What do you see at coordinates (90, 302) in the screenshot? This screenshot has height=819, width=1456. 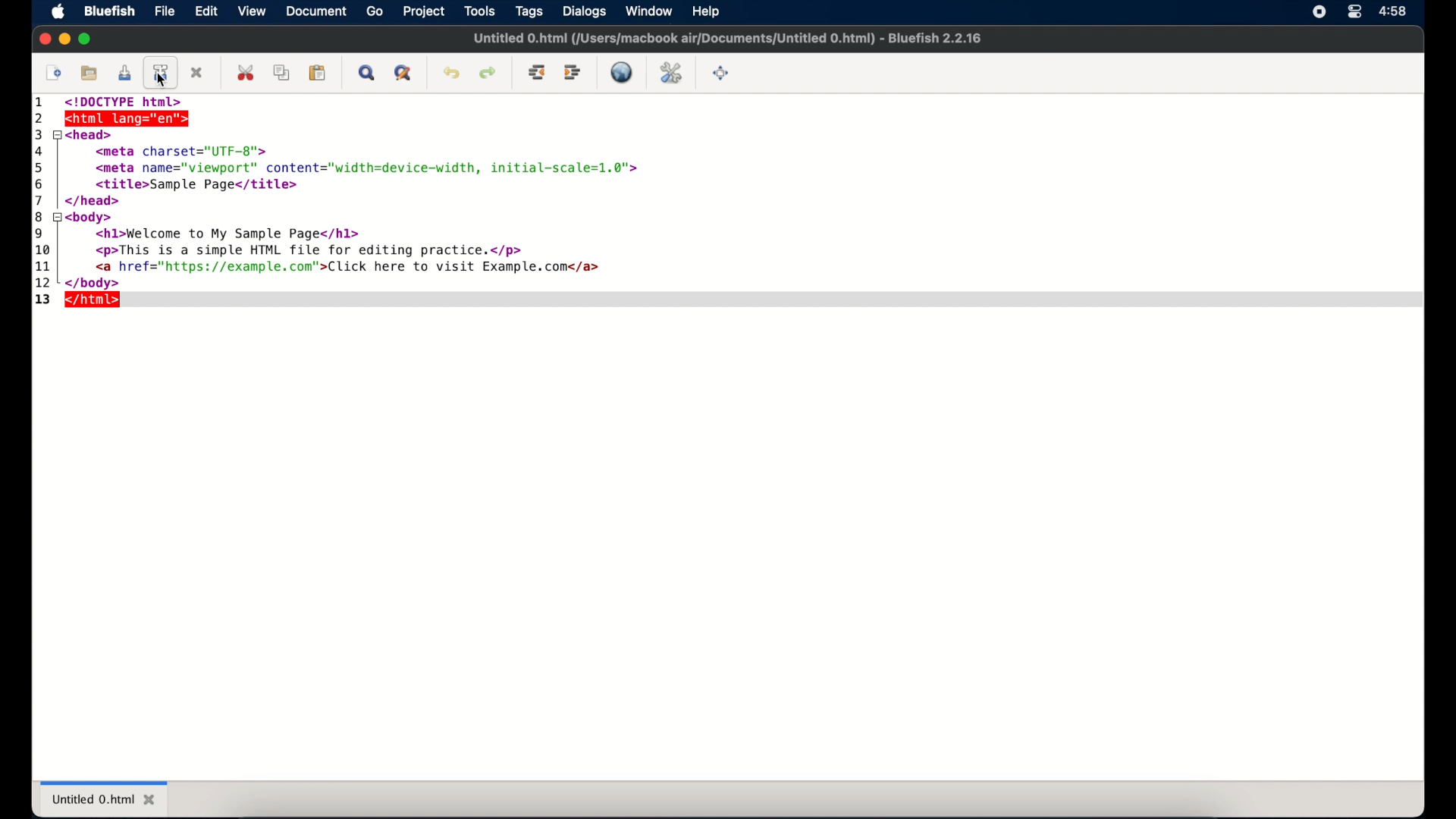 I see `</html>` at bounding box center [90, 302].